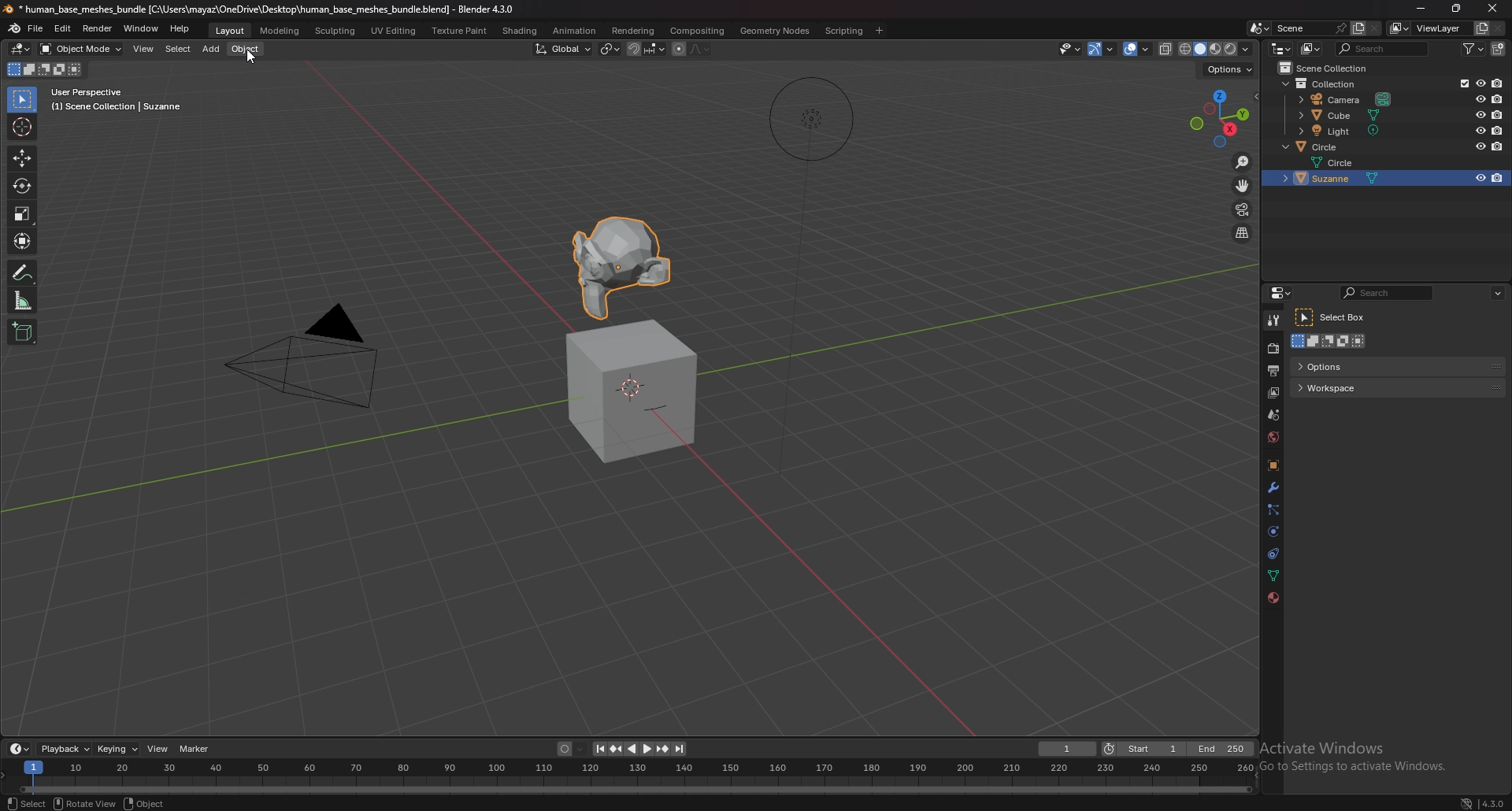  What do you see at coordinates (22, 158) in the screenshot?
I see `move` at bounding box center [22, 158].